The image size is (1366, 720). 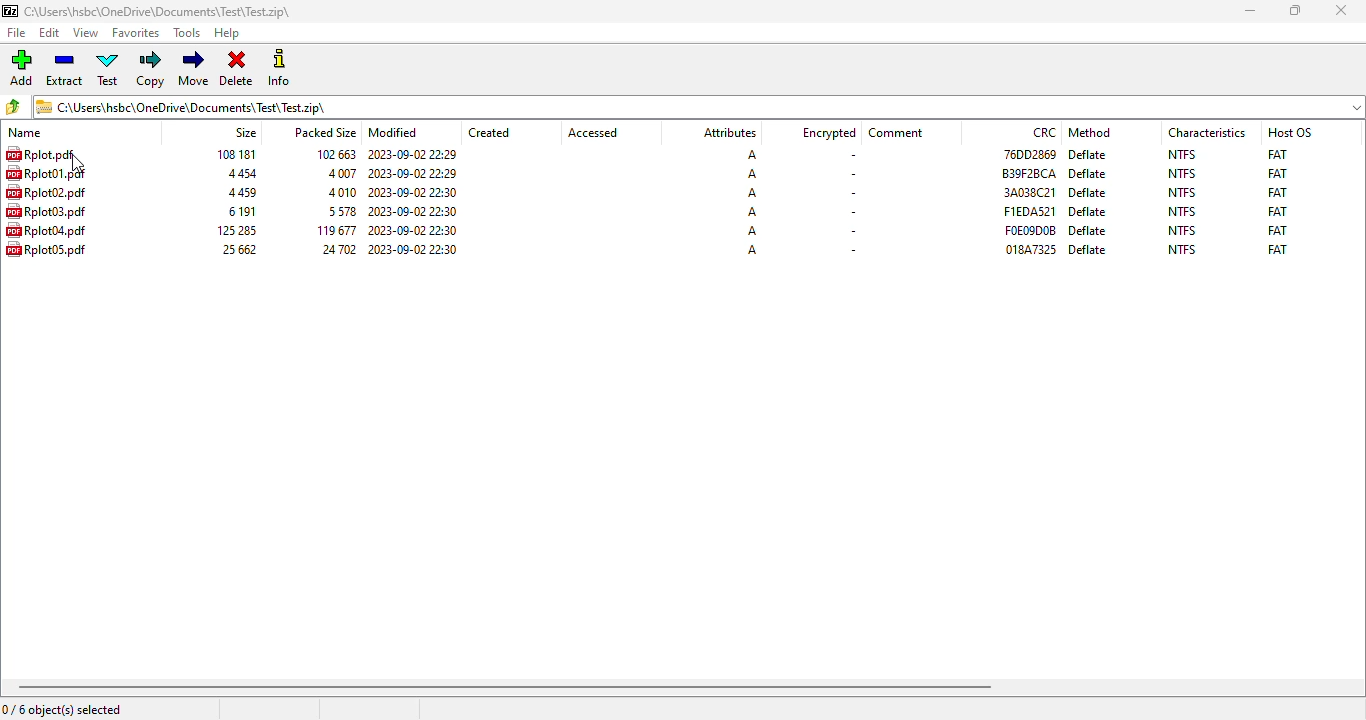 What do you see at coordinates (62, 709) in the screenshot?
I see `0/6 object(s) selected` at bounding box center [62, 709].